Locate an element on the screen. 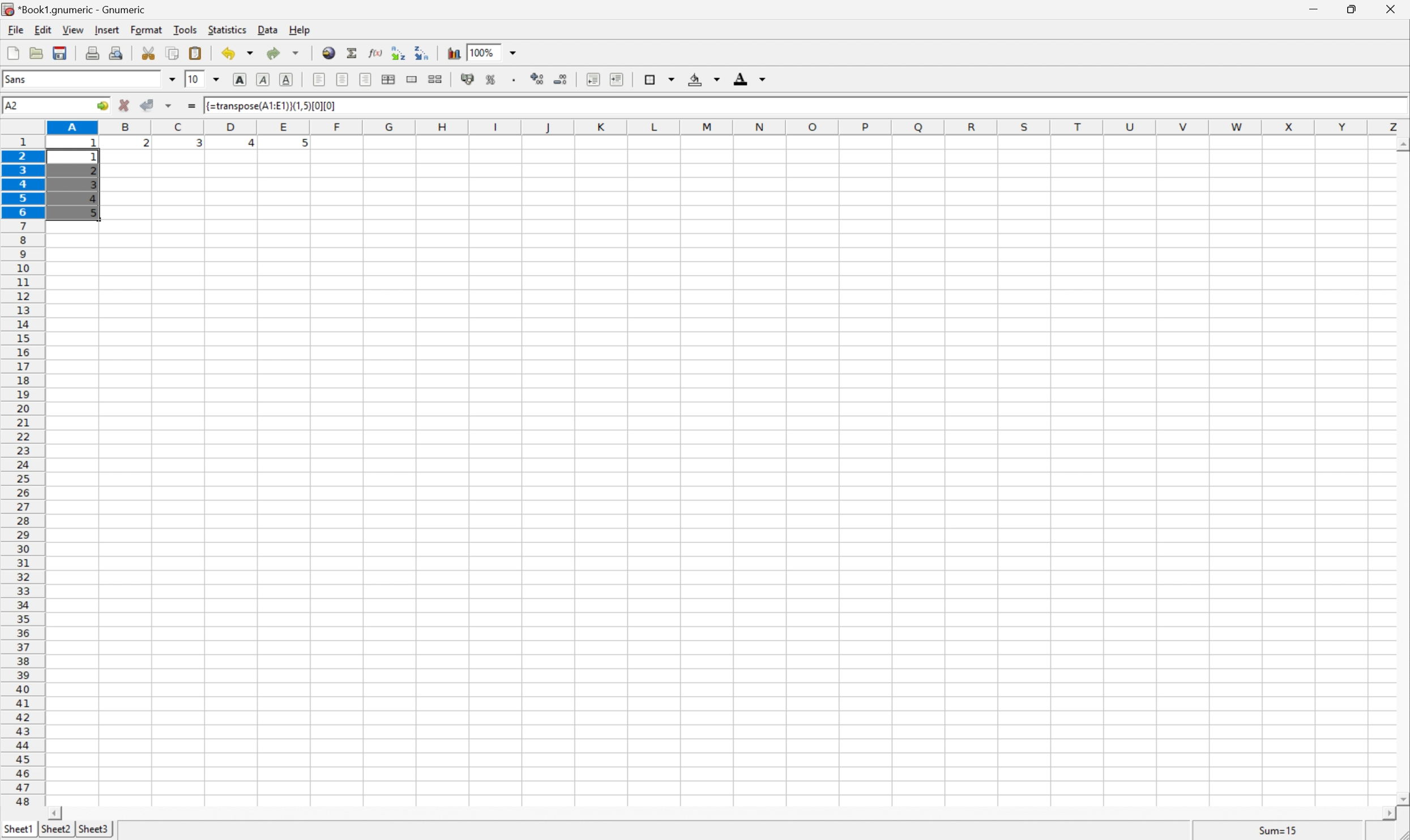 Image resolution: width=1410 pixels, height=840 pixels. insert is located at coordinates (107, 29).